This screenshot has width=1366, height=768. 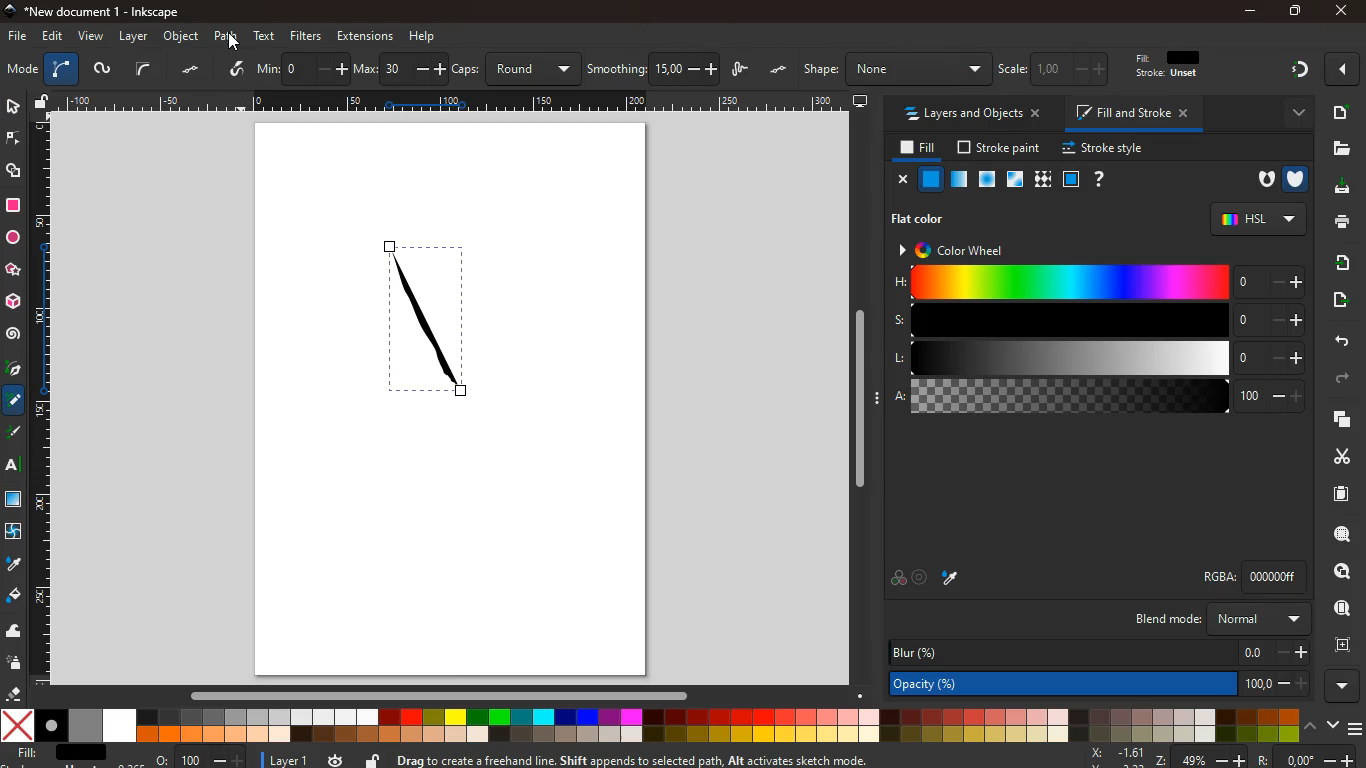 I want to click on fill and stroke, so click(x=1135, y=112).